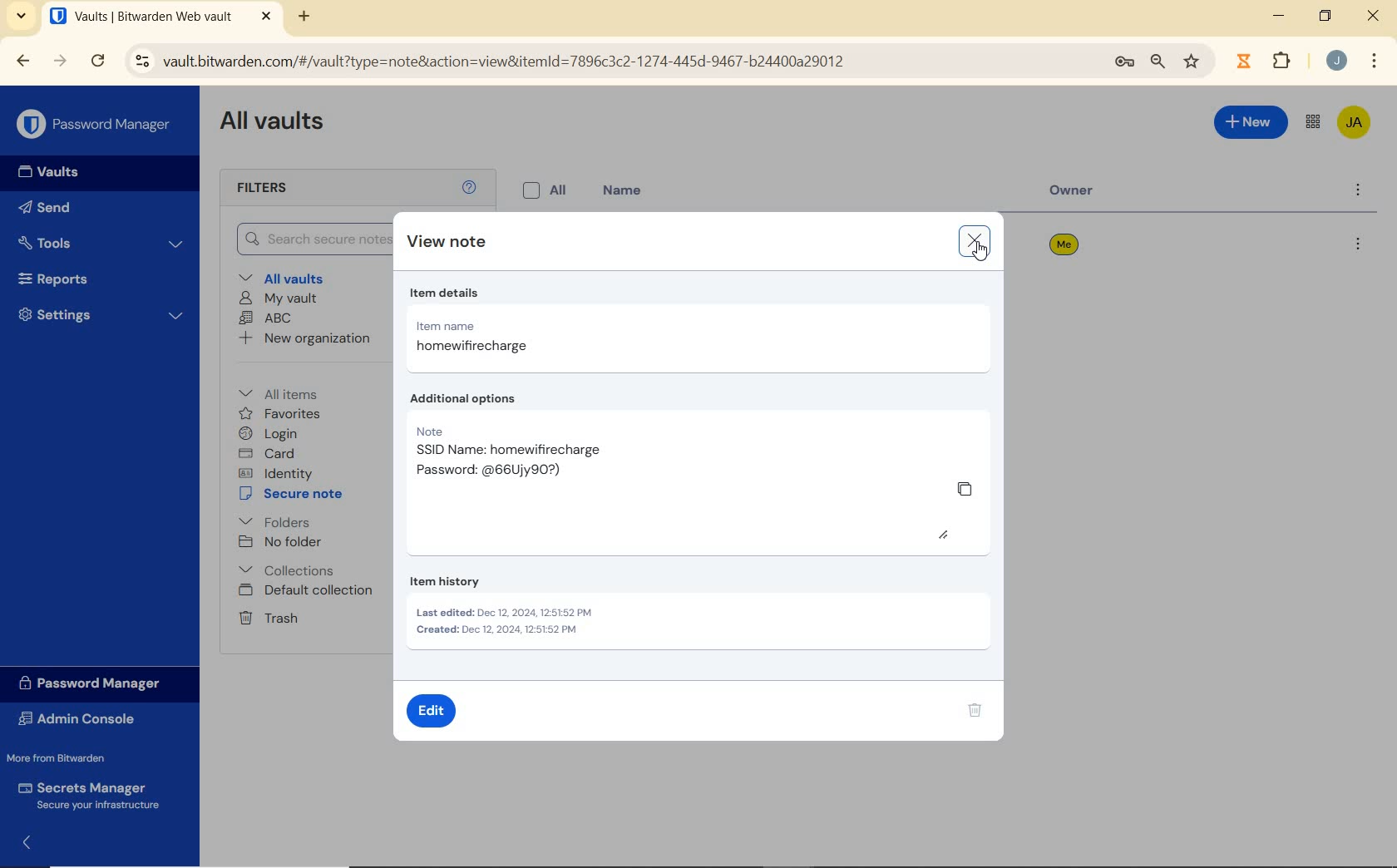  What do you see at coordinates (478, 400) in the screenshot?
I see `additional options` at bounding box center [478, 400].